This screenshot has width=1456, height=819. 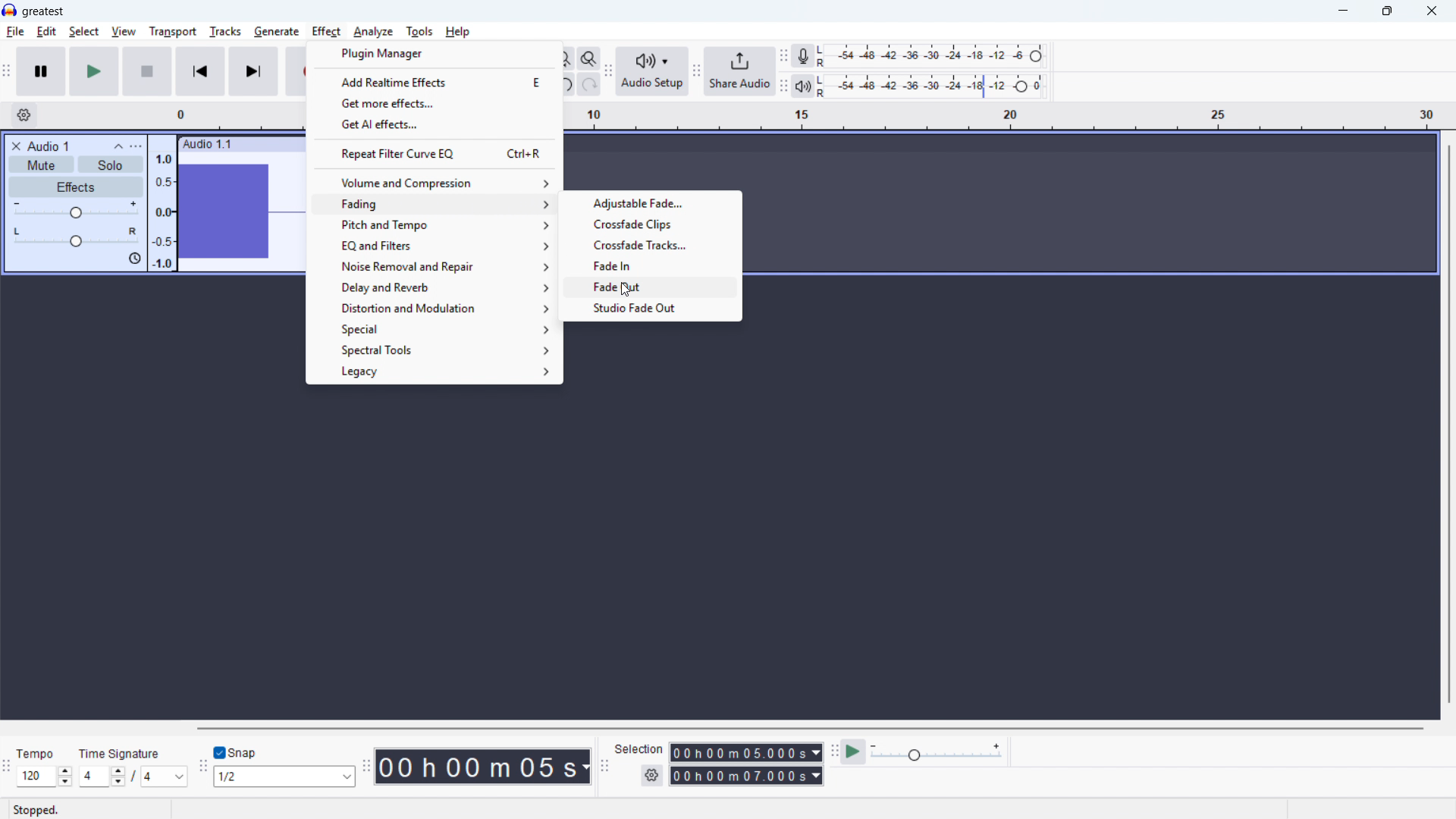 I want to click on close , so click(x=1431, y=11).